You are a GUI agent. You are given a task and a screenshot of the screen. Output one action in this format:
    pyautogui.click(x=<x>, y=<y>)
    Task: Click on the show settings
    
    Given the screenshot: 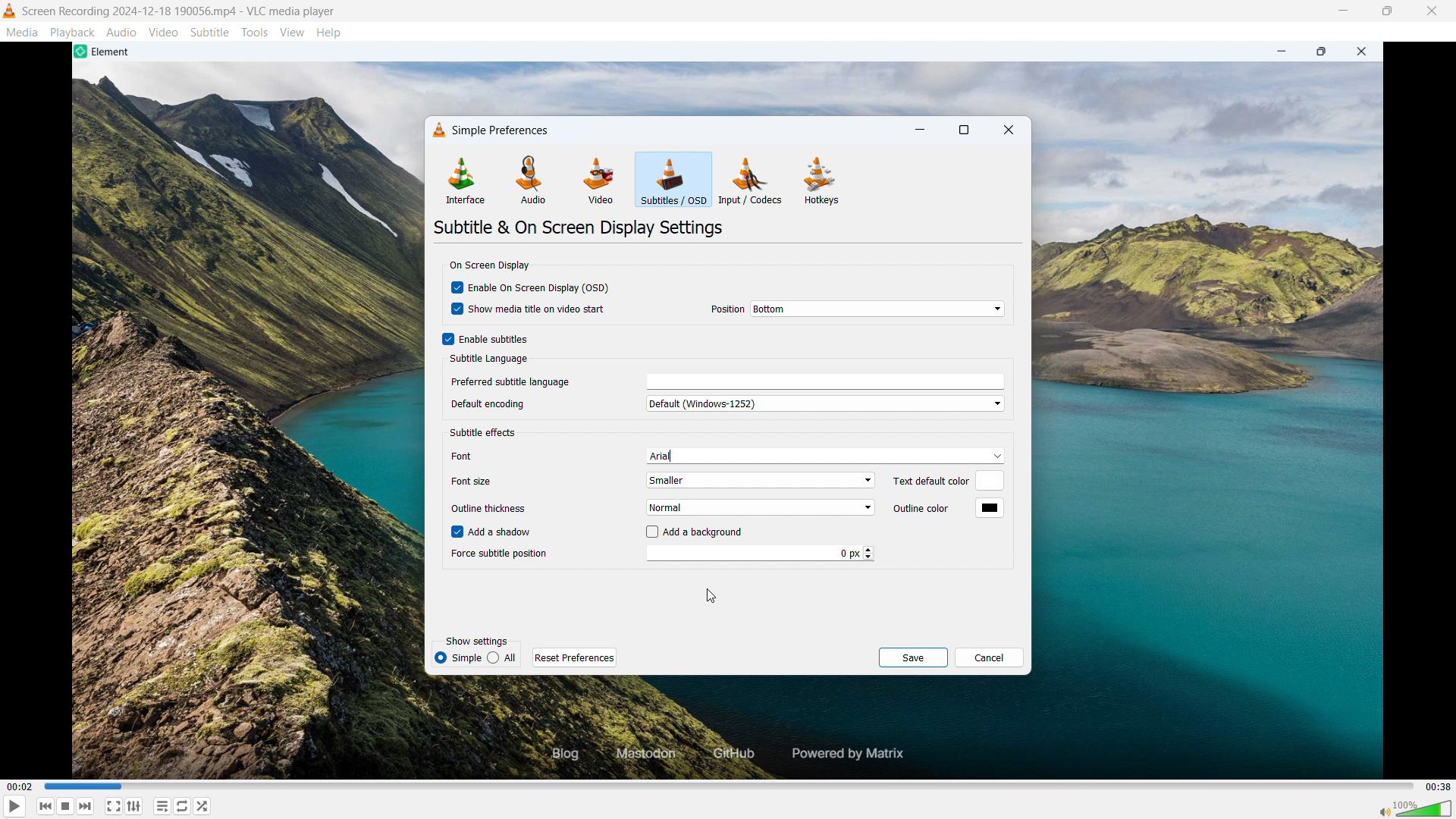 What is the action you would take?
    pyautogui.click(x=477, y=642)
    